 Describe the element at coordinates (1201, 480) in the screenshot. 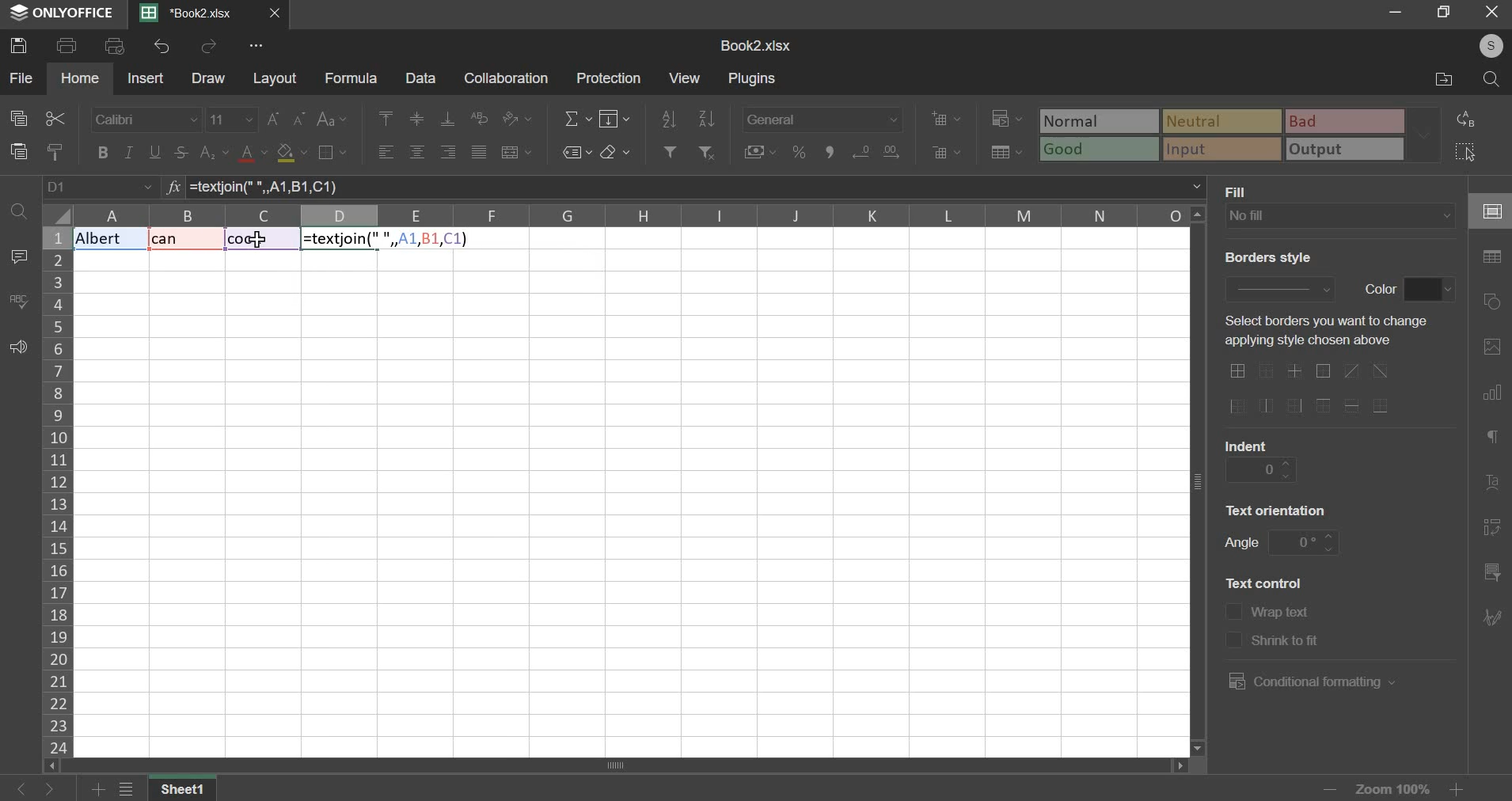

I see `vertical scroll bar` at that location.